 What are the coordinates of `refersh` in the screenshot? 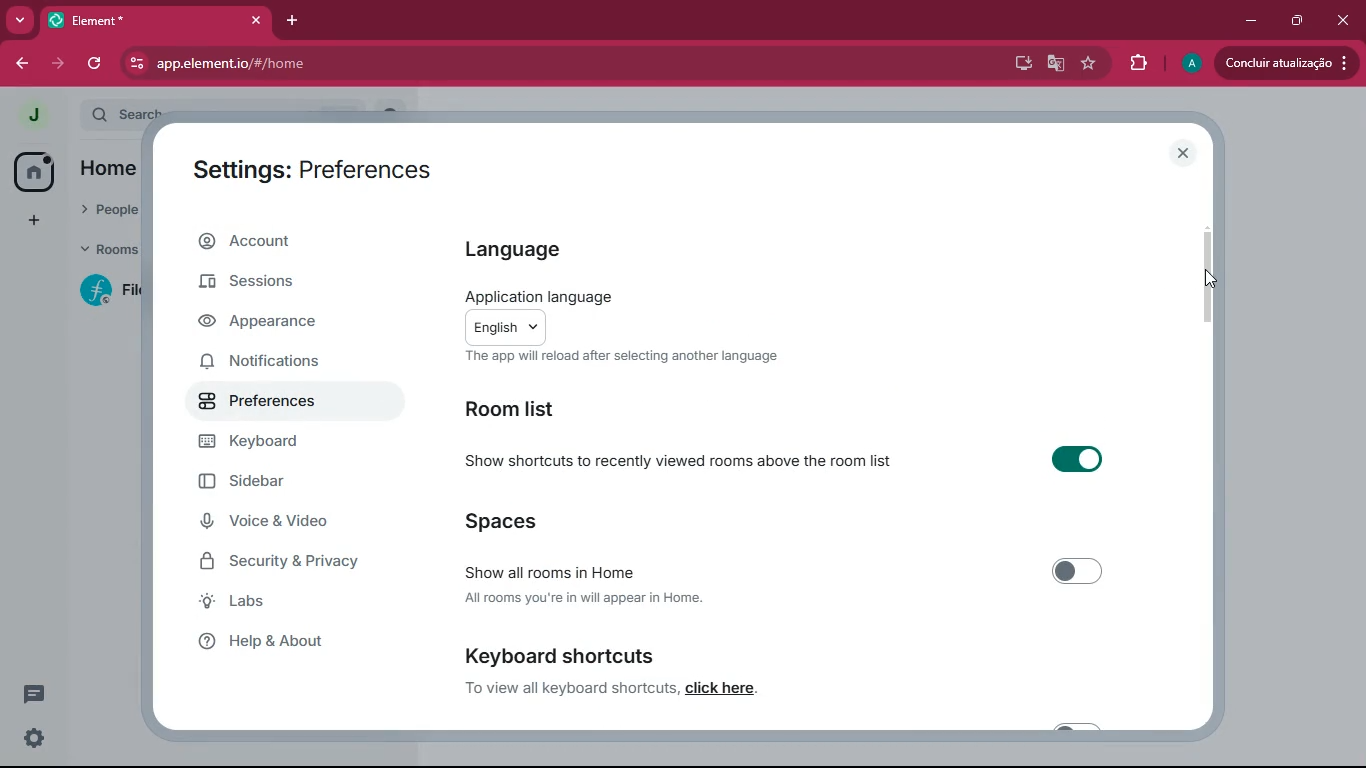 It's located at (96, 63).